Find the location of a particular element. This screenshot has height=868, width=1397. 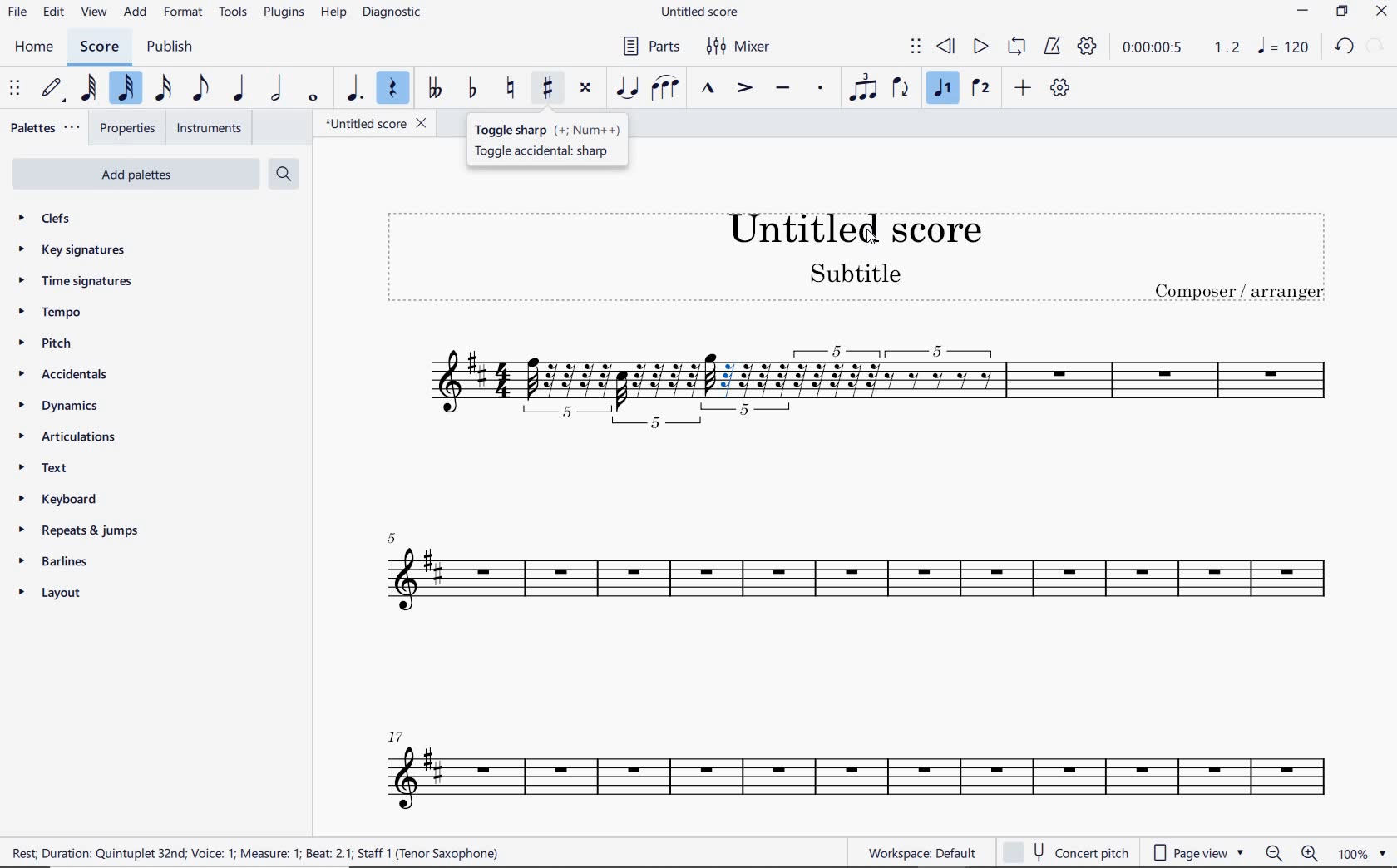

TOOLS is located at coordinates (233, 12).